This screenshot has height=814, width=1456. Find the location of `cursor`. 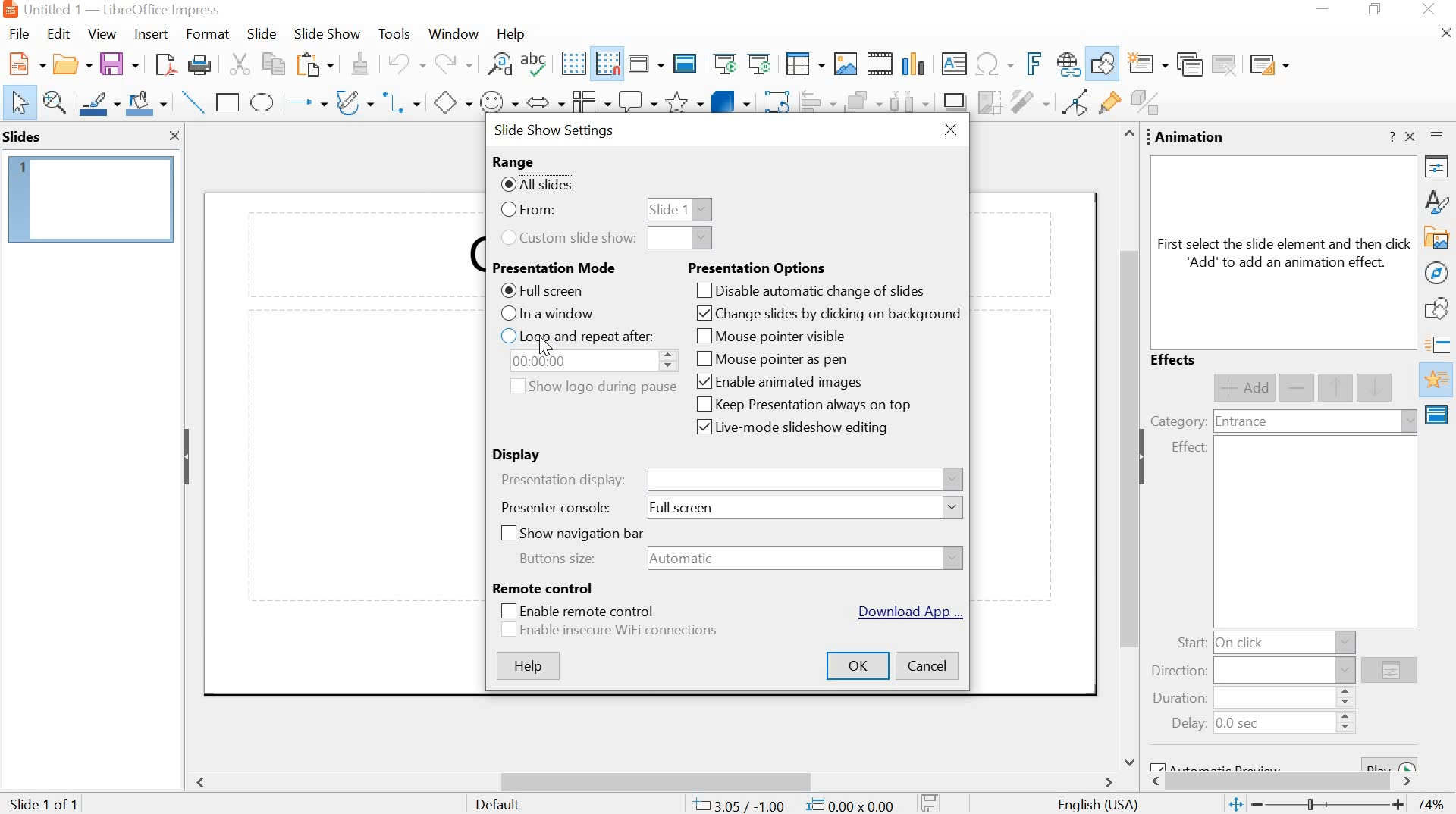

cursor is located at coordinates (551, 347).